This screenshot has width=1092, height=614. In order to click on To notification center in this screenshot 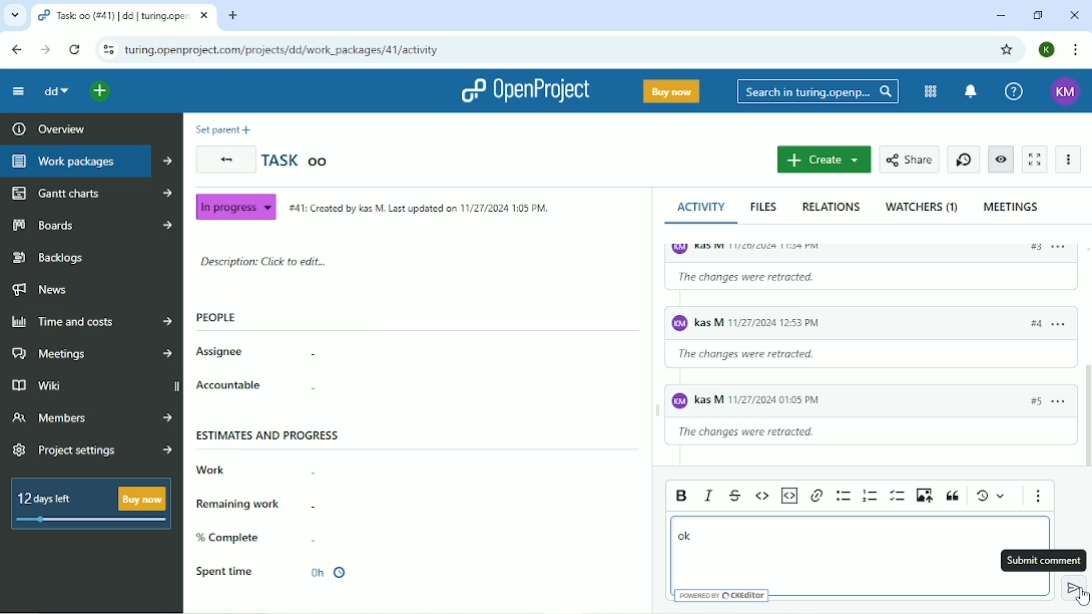, I will do `click(970, 92)`.